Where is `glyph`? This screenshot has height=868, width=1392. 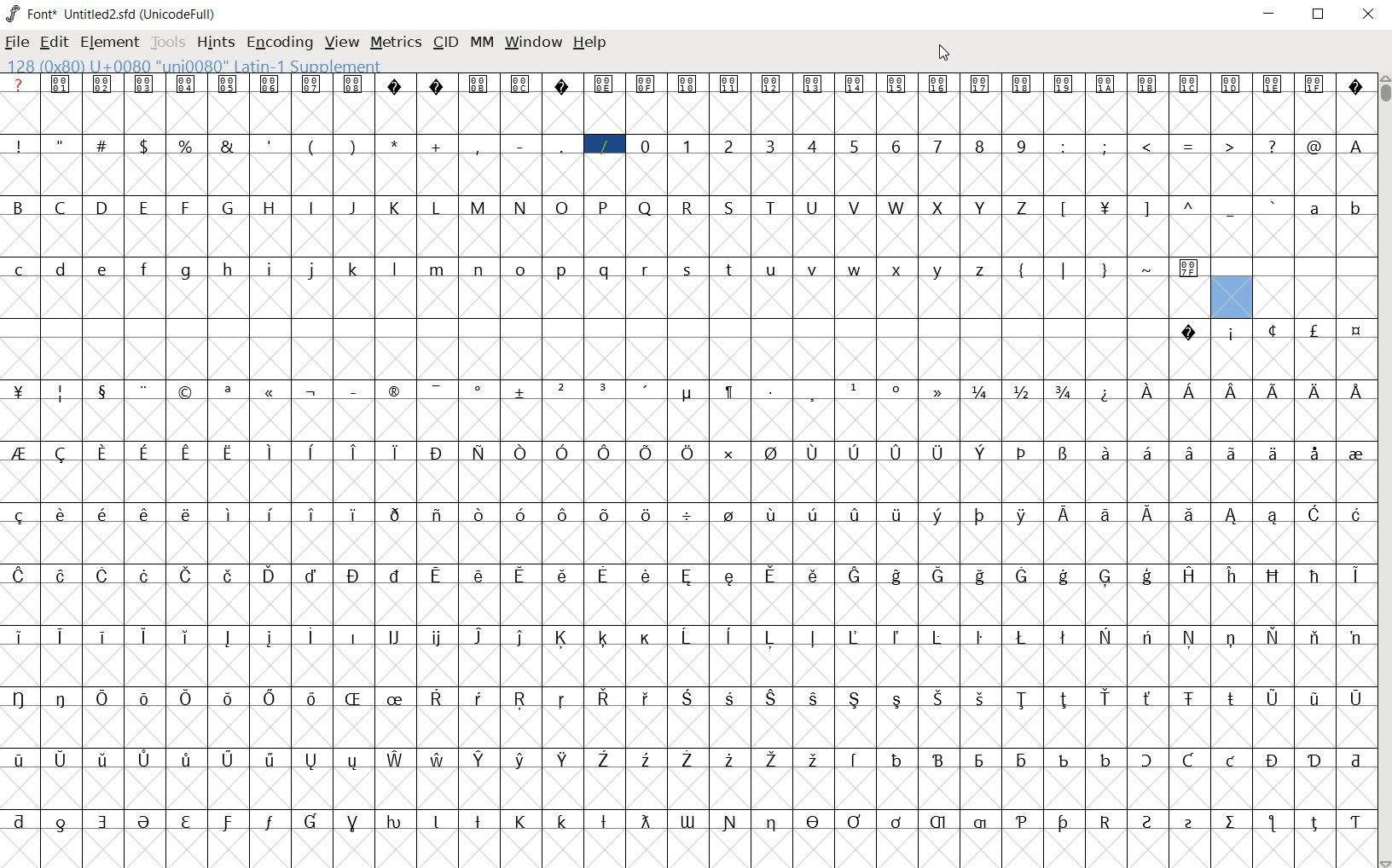 glyph is located at coordinates (855, 207).